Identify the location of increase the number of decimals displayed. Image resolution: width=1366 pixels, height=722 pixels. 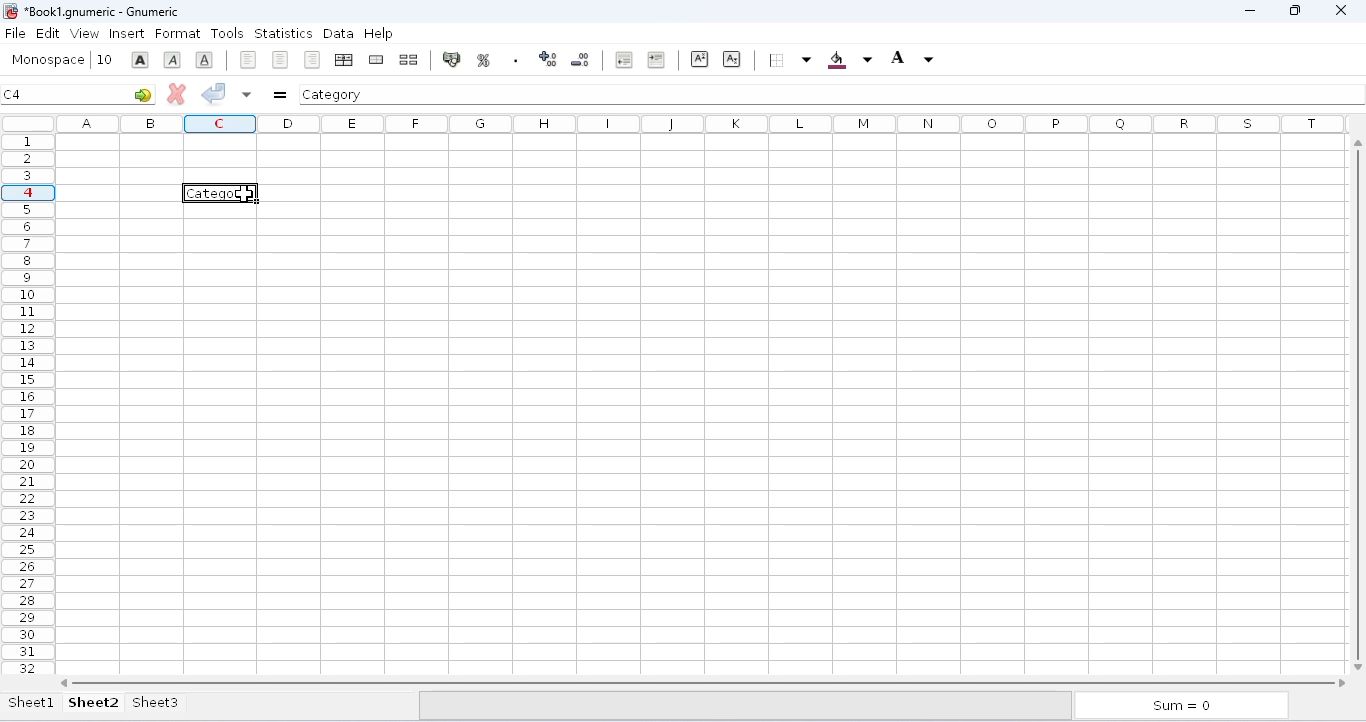
(548, 59).